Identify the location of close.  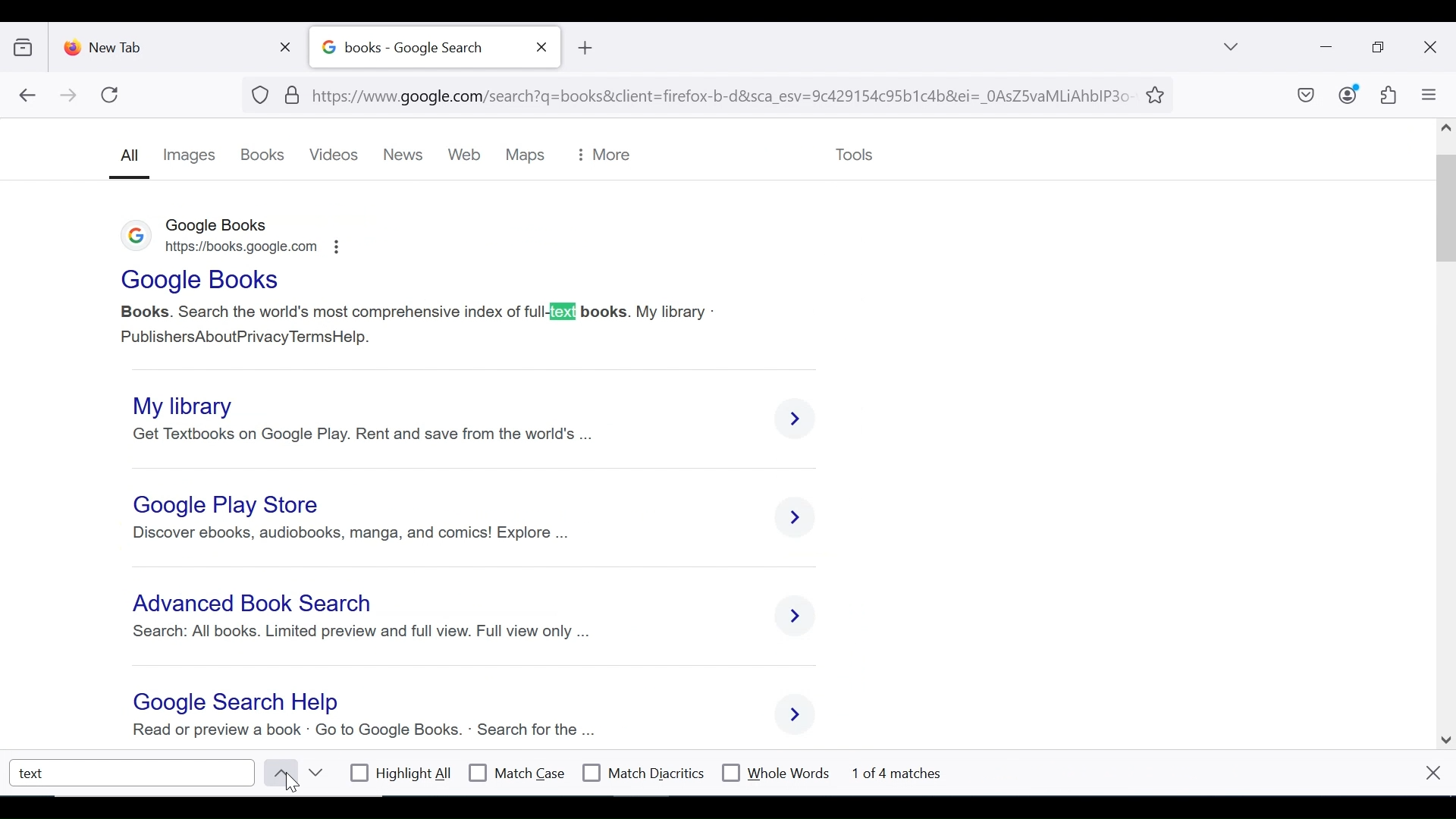
(1432, 772).